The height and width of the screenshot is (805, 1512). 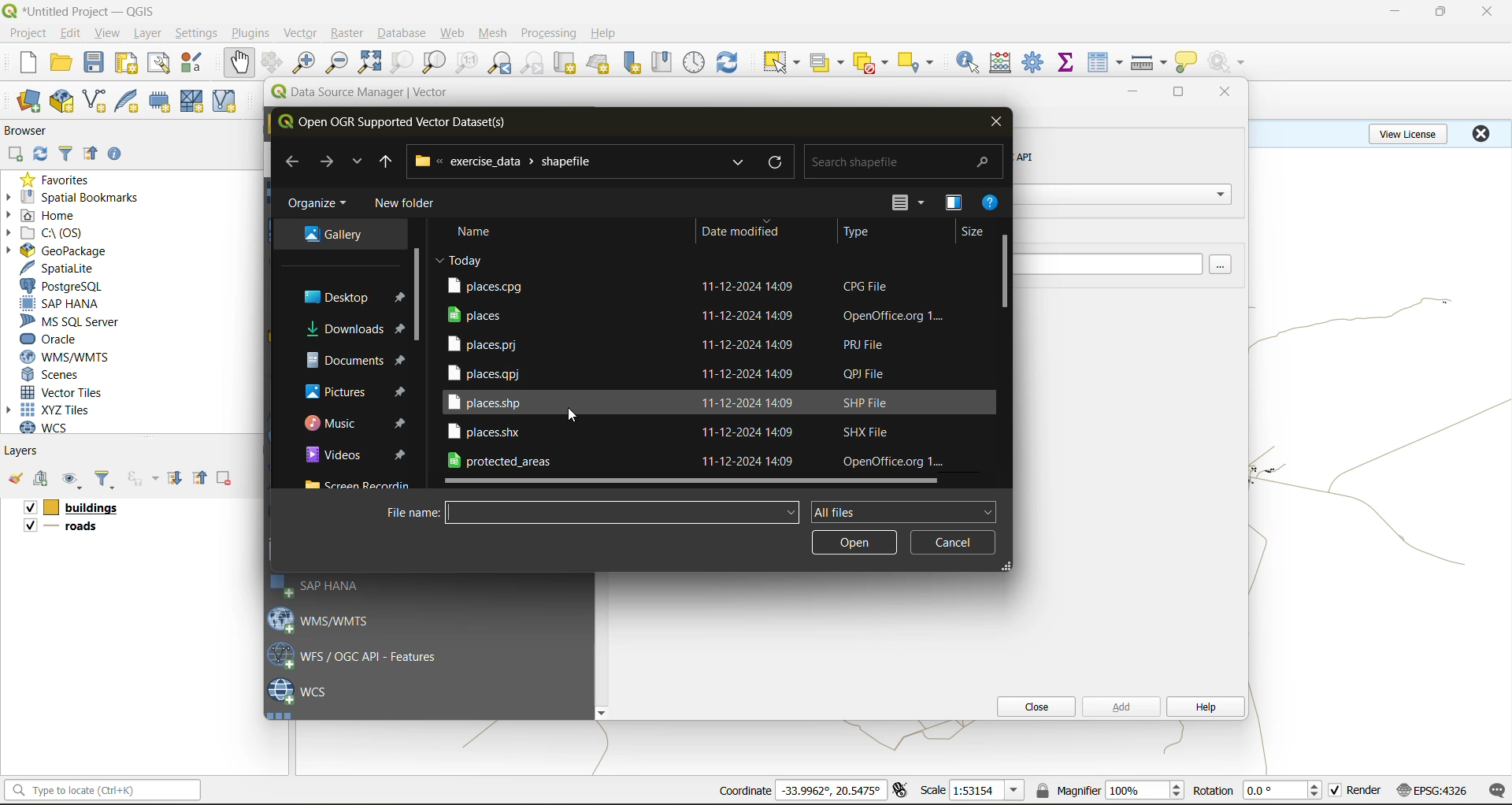 What do you see at coordinates (1069, 63) in the screenshot?
I see `statistical summary` at bounding box center [1069, 63].